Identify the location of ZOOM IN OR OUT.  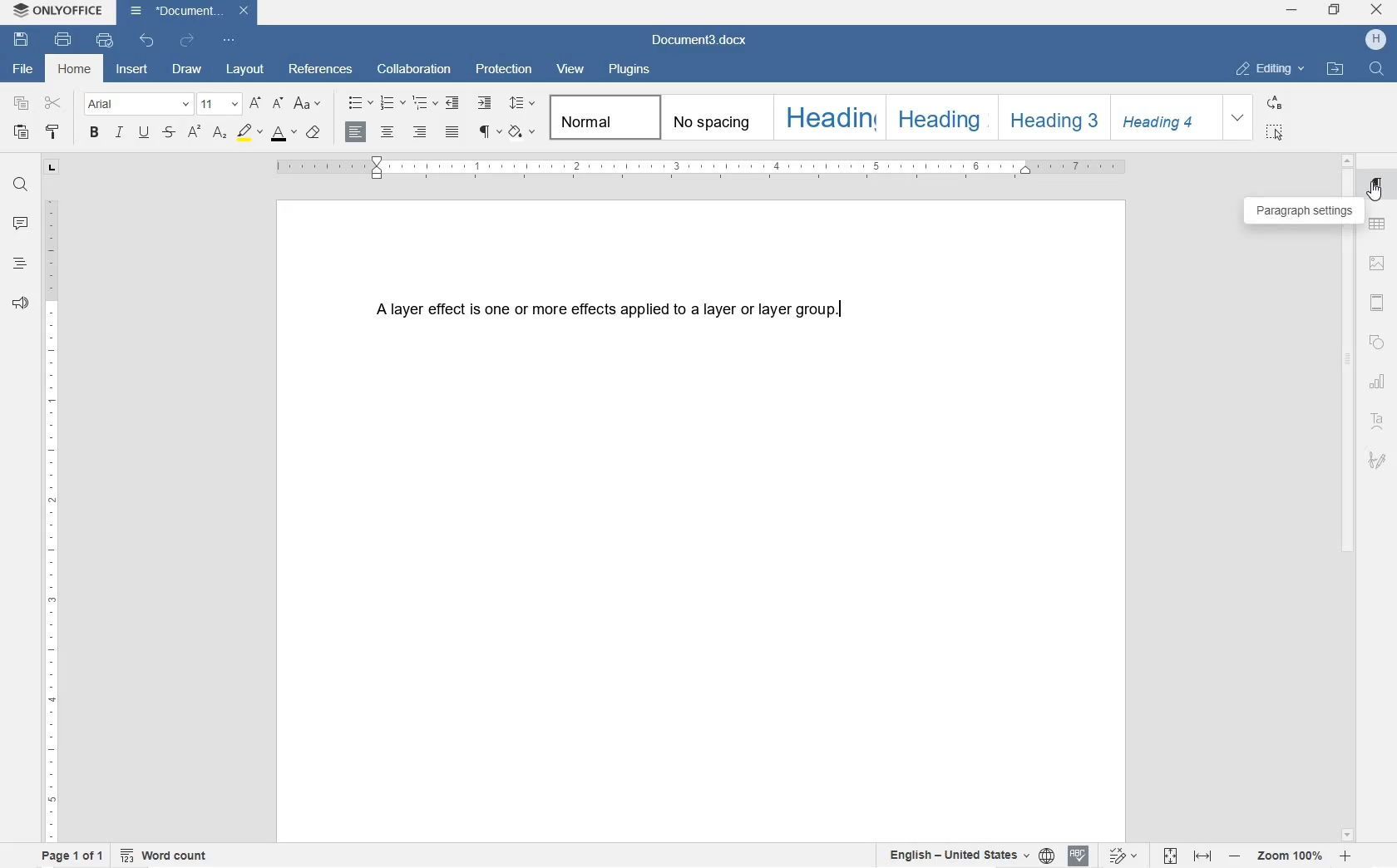
(1291, 856).